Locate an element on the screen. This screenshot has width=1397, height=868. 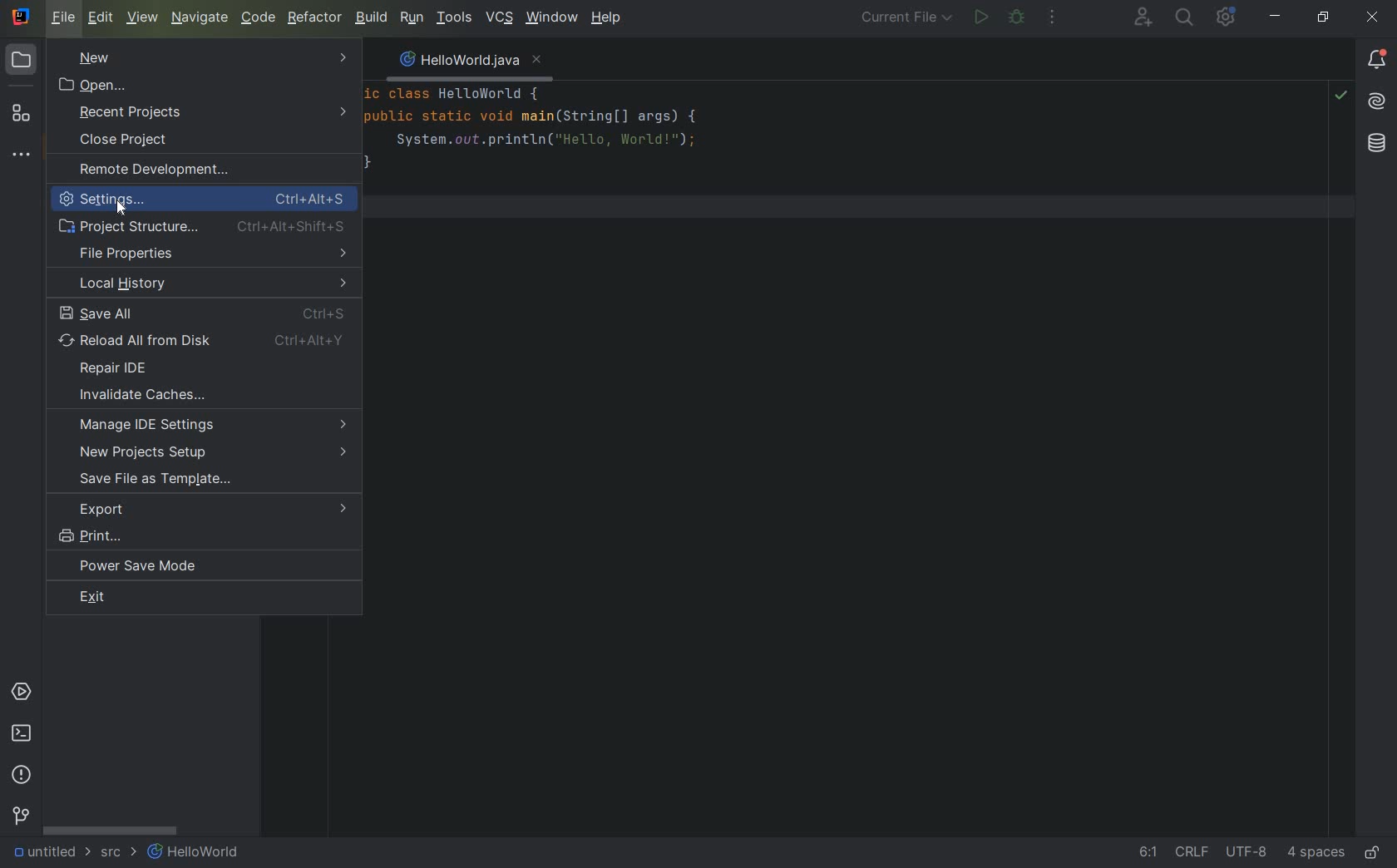
minimize is located at coordinates (1273, 16).